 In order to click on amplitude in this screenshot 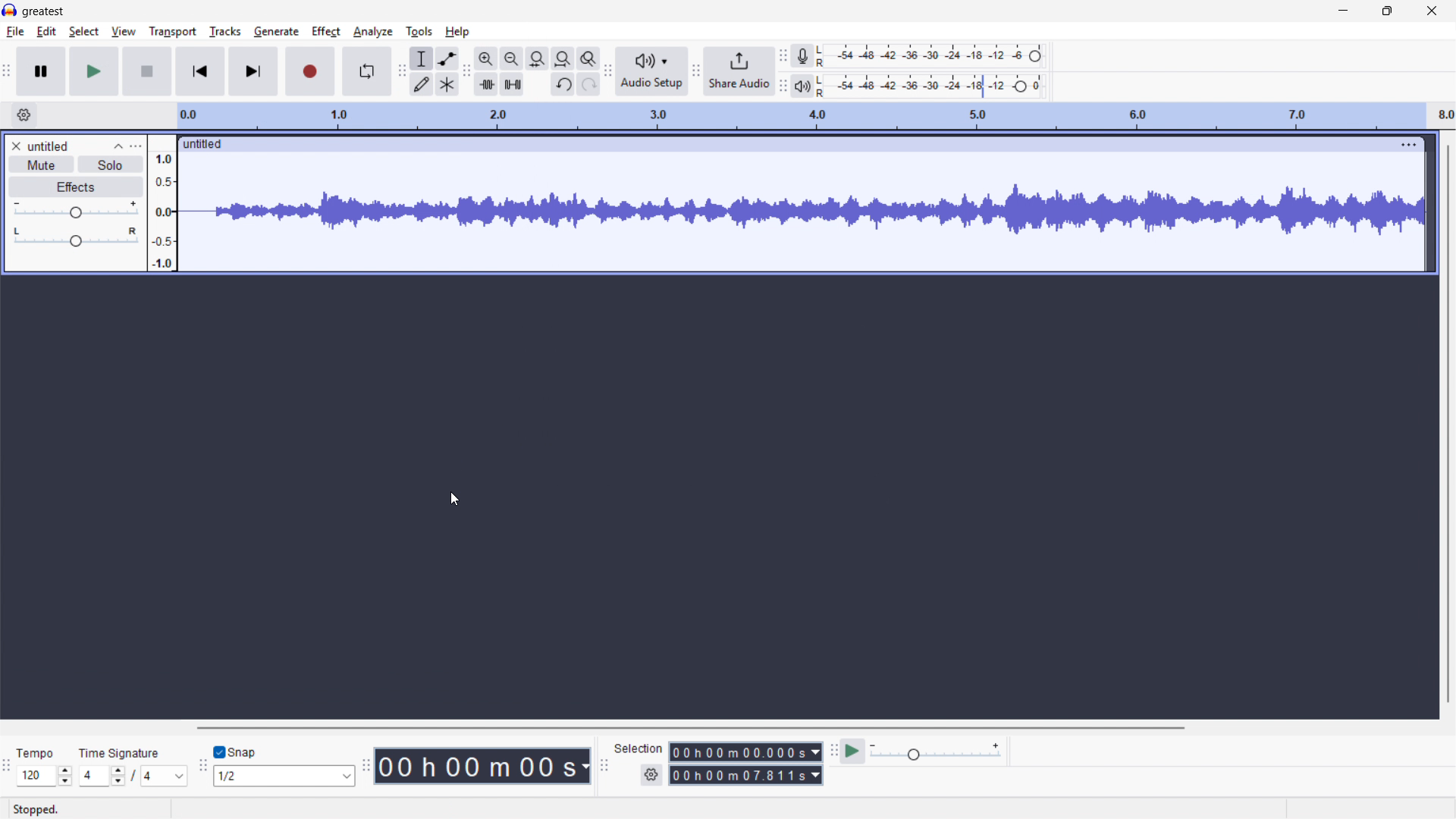, I will do `click(161, 202)`.